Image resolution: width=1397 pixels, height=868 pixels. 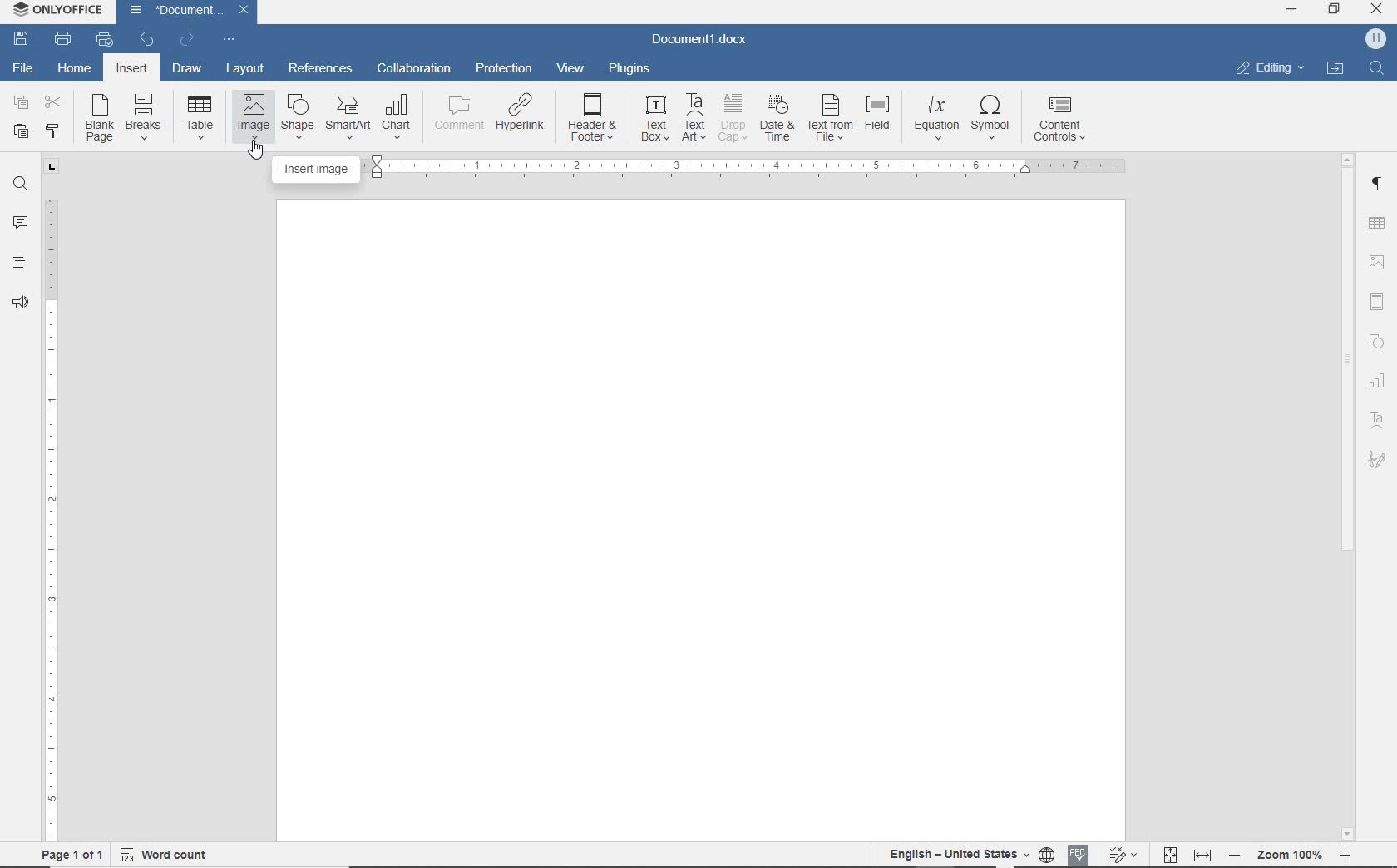 What do you see at coordinates (748, 170) in the screenshot?
I see `ruler` at bounding box center [748, 170].